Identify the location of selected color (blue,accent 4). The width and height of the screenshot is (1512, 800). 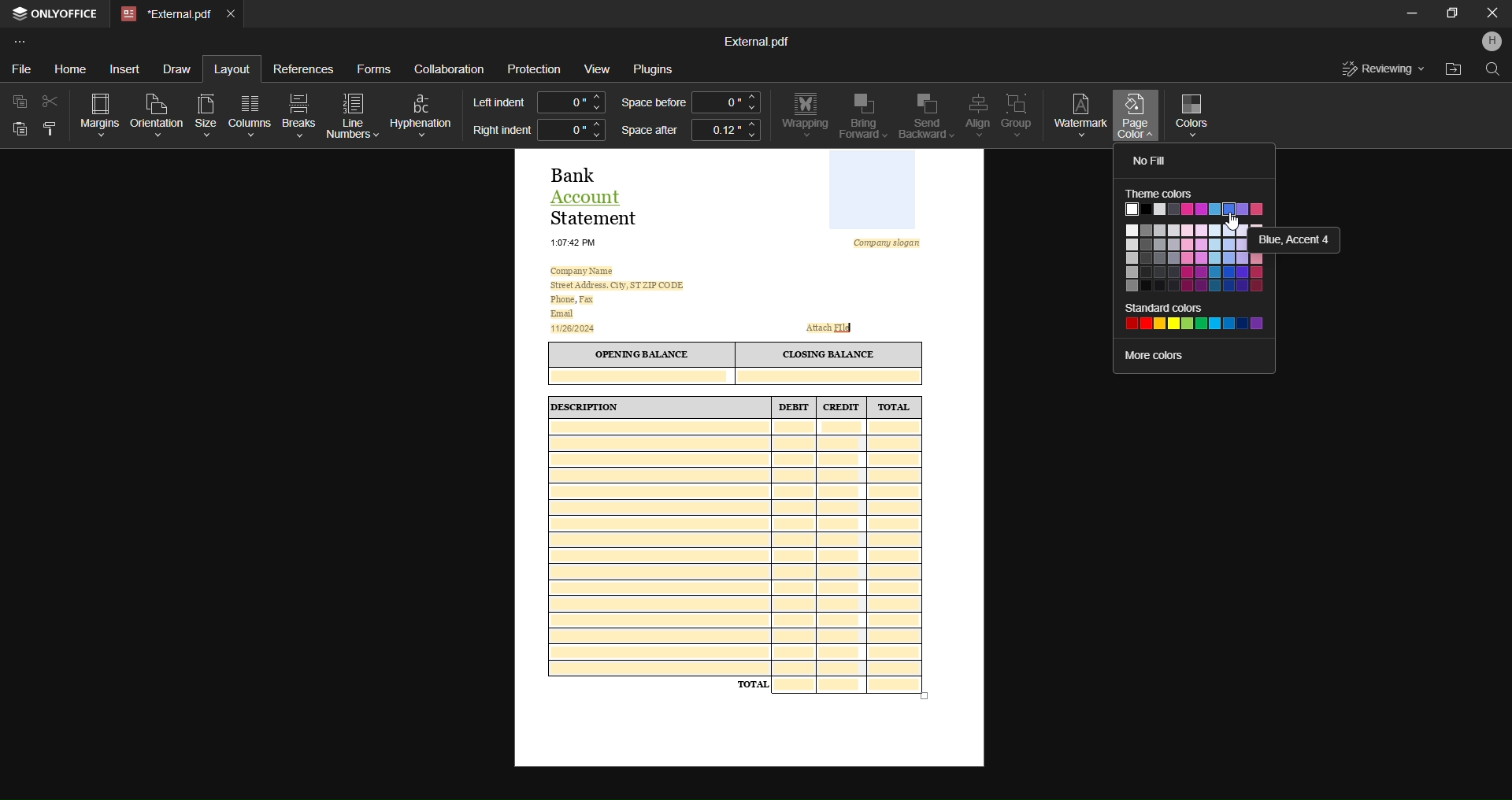
(1228, 209).